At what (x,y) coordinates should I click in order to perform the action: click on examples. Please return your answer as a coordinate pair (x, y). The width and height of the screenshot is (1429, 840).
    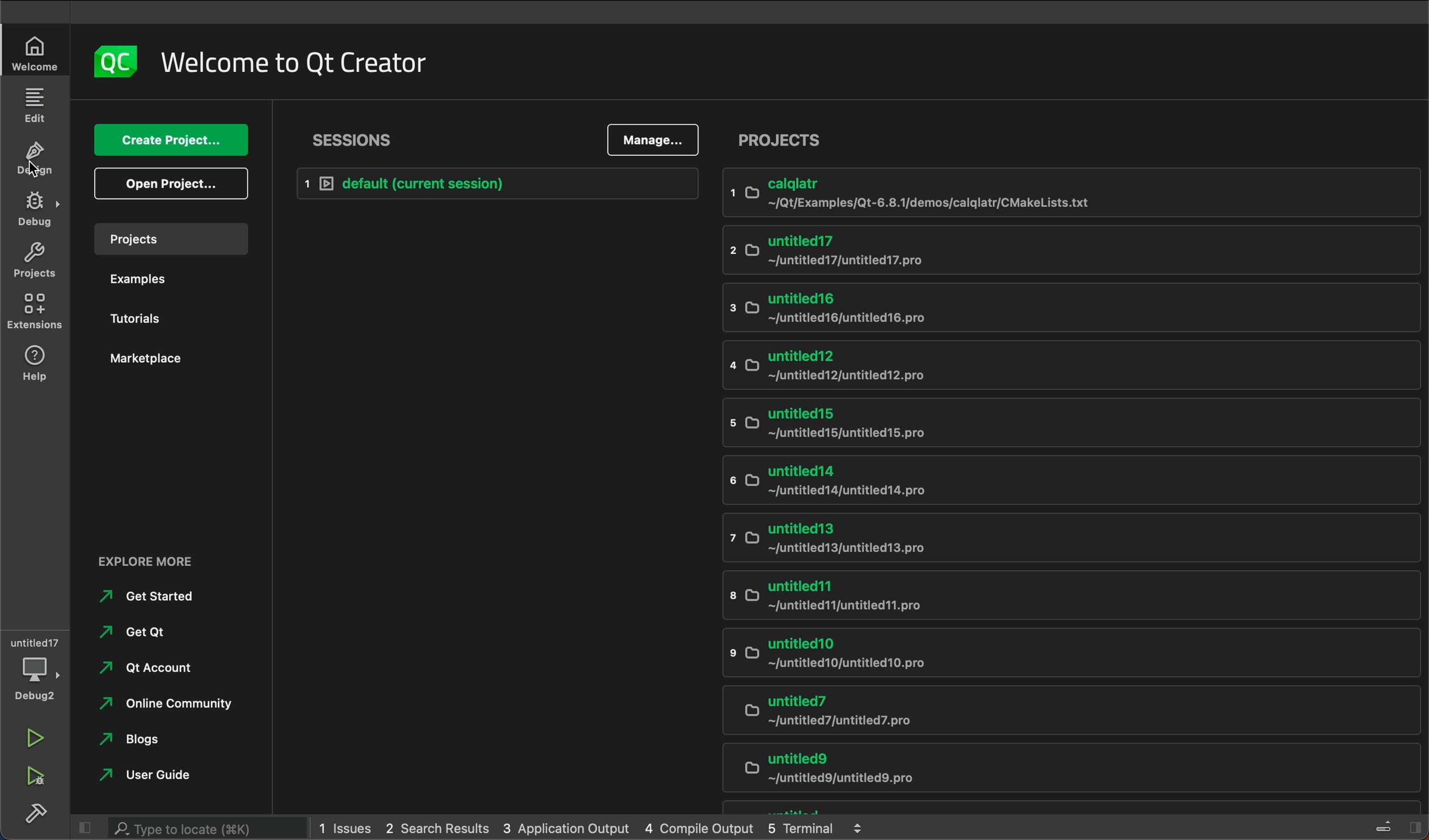
    Looking at the image, I should click on (173, 282).